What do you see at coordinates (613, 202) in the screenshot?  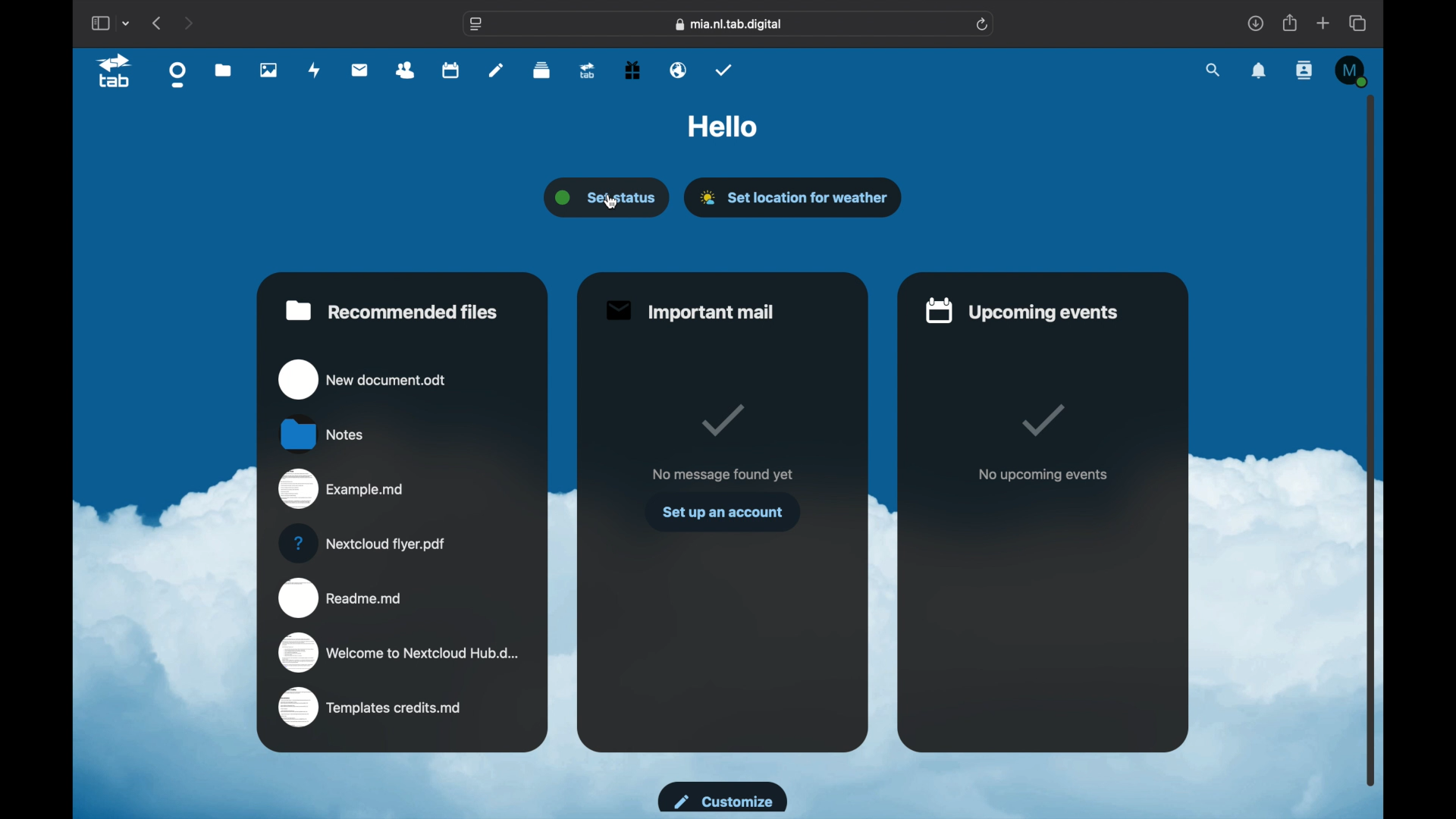 I see `pointing cursor` at bounding box center [613, 202].